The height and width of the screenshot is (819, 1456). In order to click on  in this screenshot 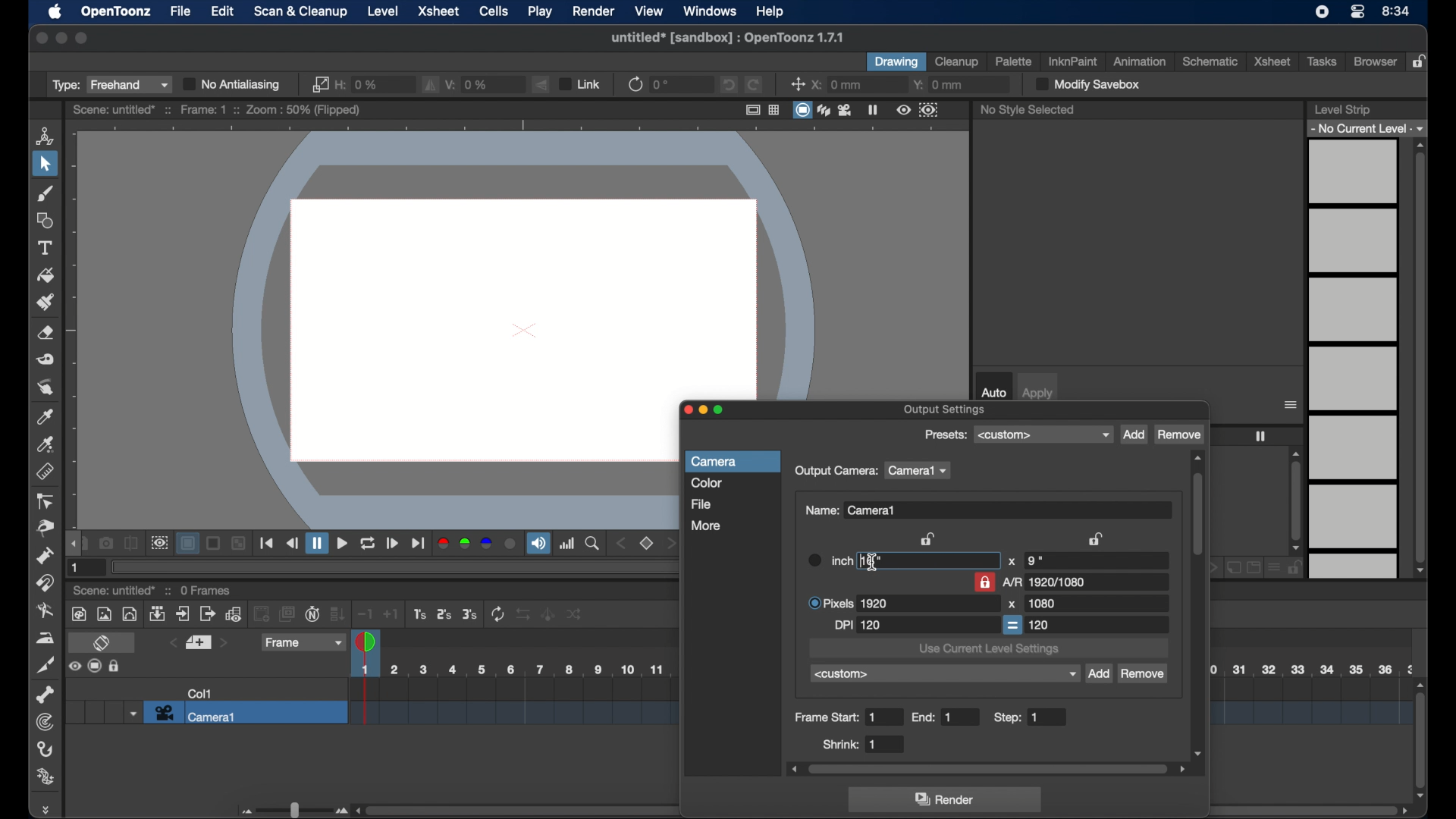, I will do `click(240, 544)`.